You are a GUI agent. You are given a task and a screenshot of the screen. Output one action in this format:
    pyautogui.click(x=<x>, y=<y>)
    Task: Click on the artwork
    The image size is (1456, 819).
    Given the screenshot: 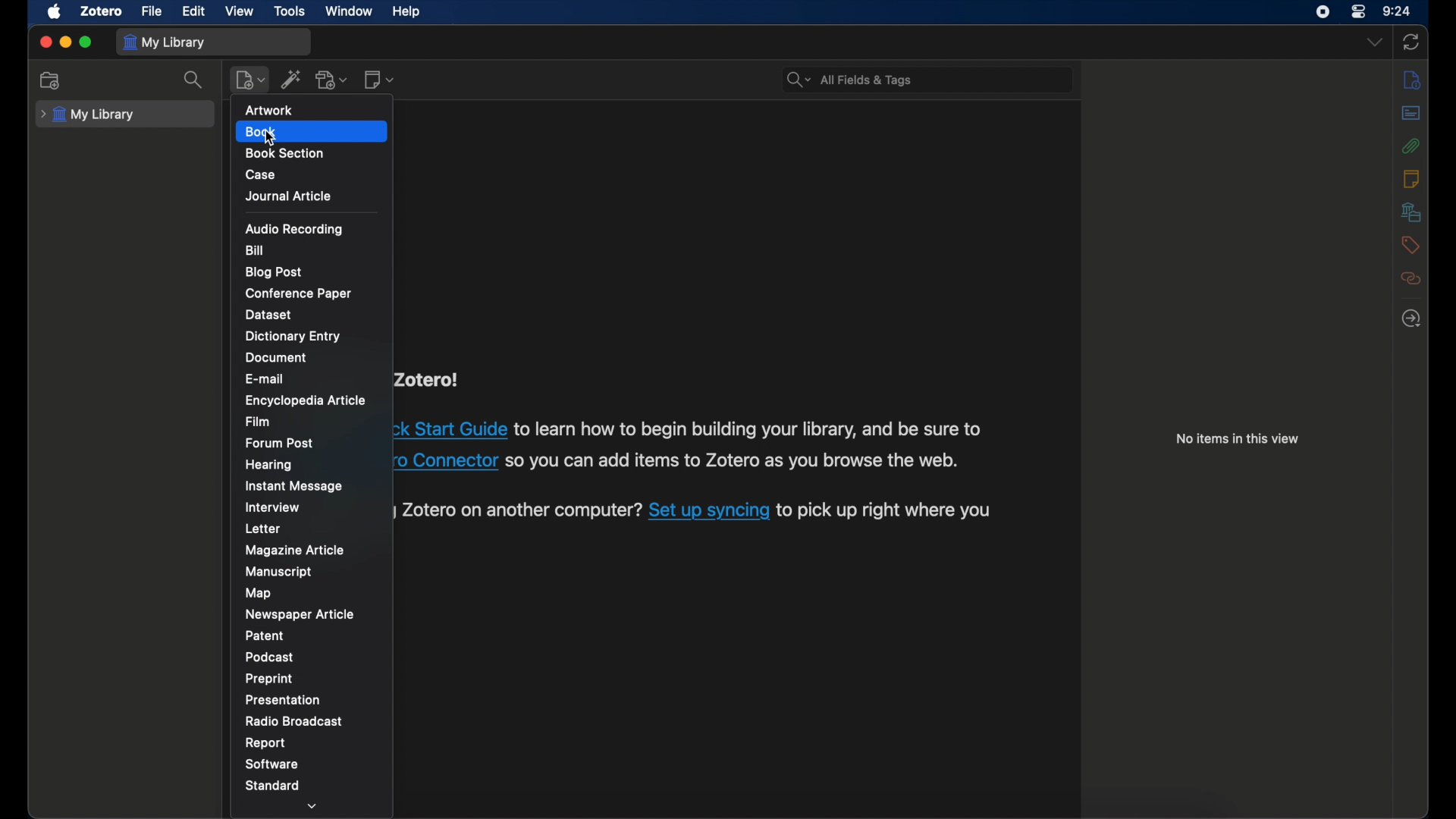 What is the action you would take?
    pyautogui.click(x=270, y=111)
    